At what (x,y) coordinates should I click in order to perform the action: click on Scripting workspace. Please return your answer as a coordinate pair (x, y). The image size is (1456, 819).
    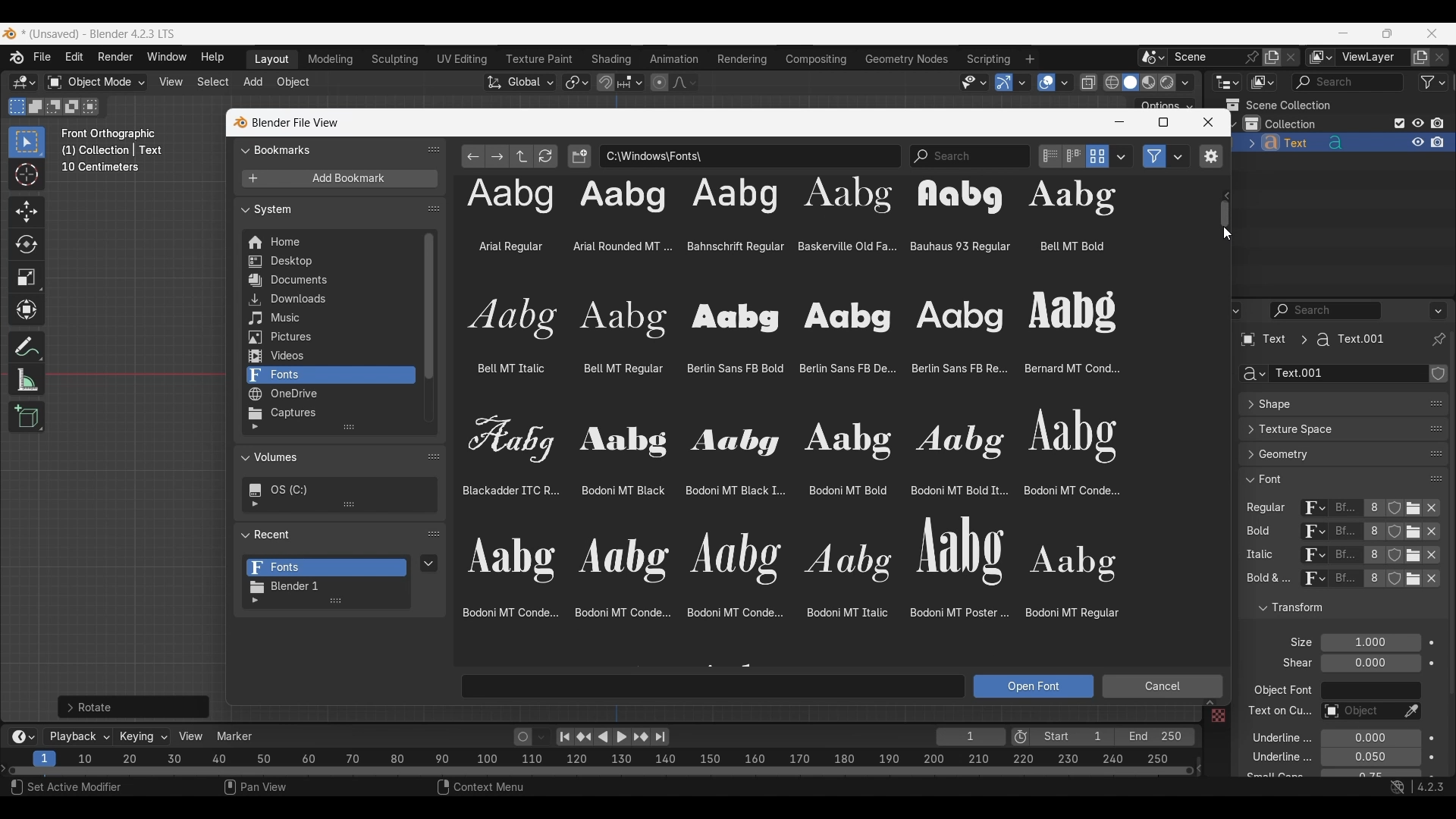
    Looking at the image, I should click on (987, 58).